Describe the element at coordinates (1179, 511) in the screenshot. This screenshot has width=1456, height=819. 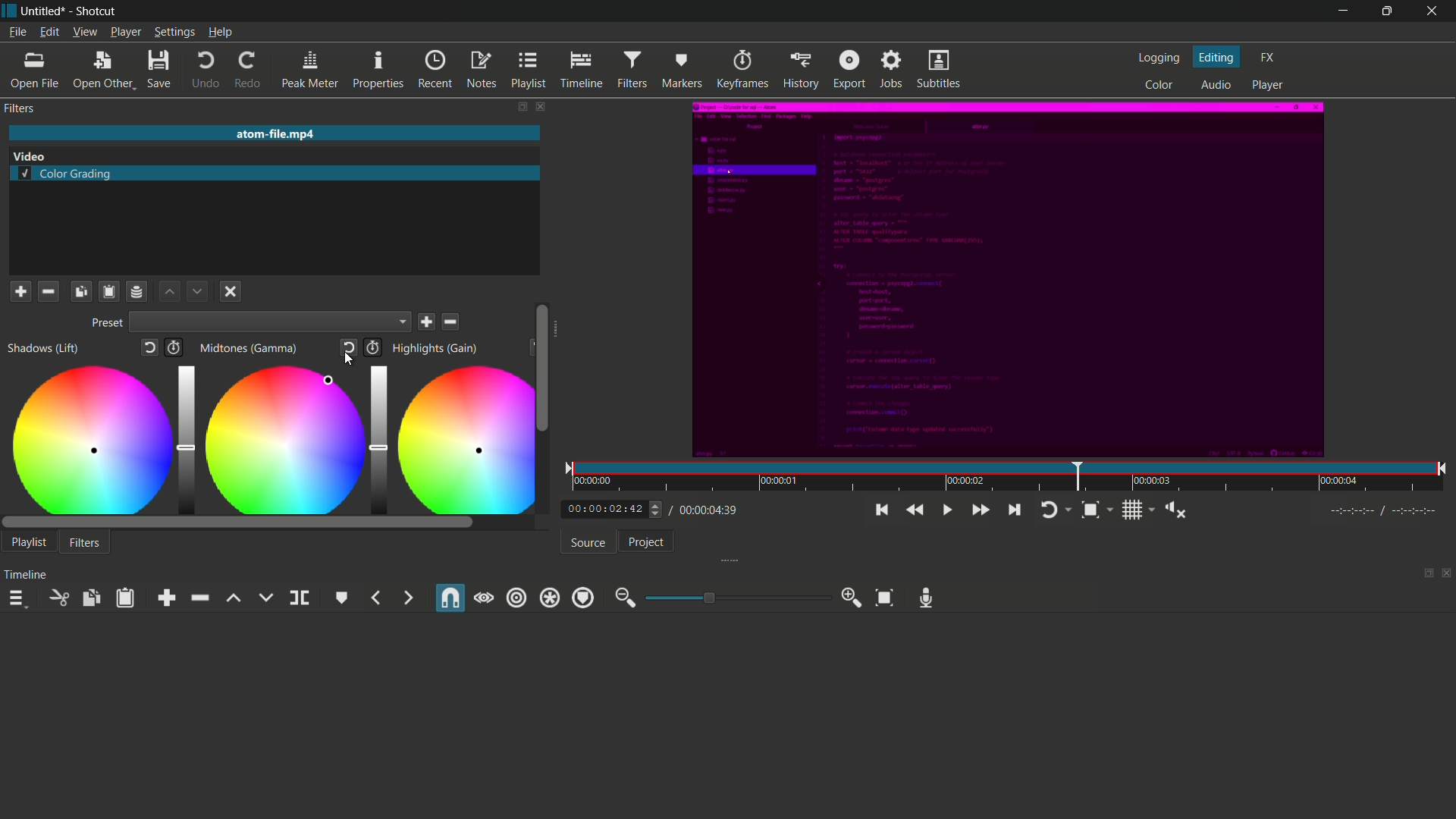
I see `show volume control` at that location.